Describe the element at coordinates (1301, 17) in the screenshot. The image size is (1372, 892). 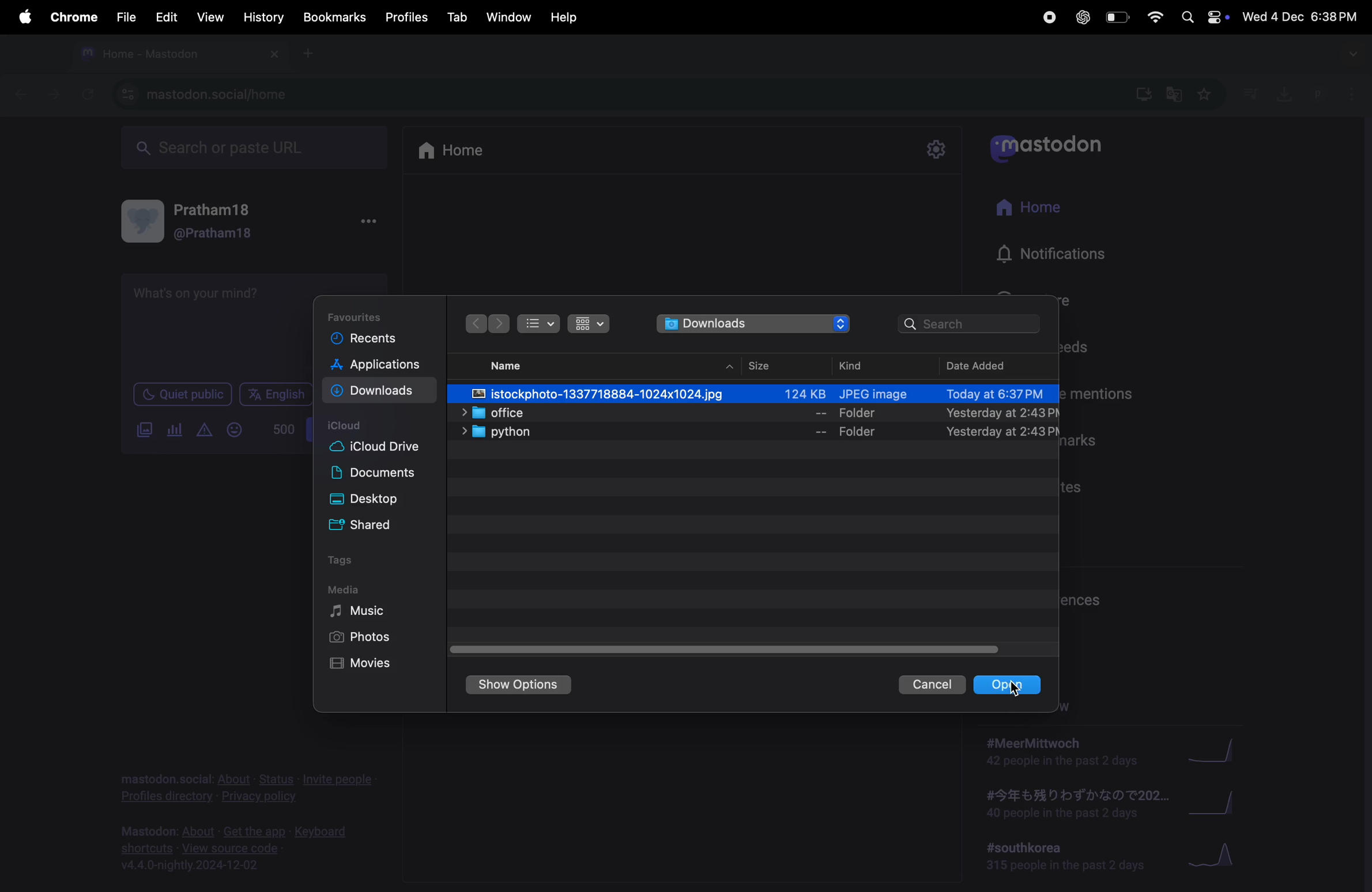
I see `date and time` at that location.